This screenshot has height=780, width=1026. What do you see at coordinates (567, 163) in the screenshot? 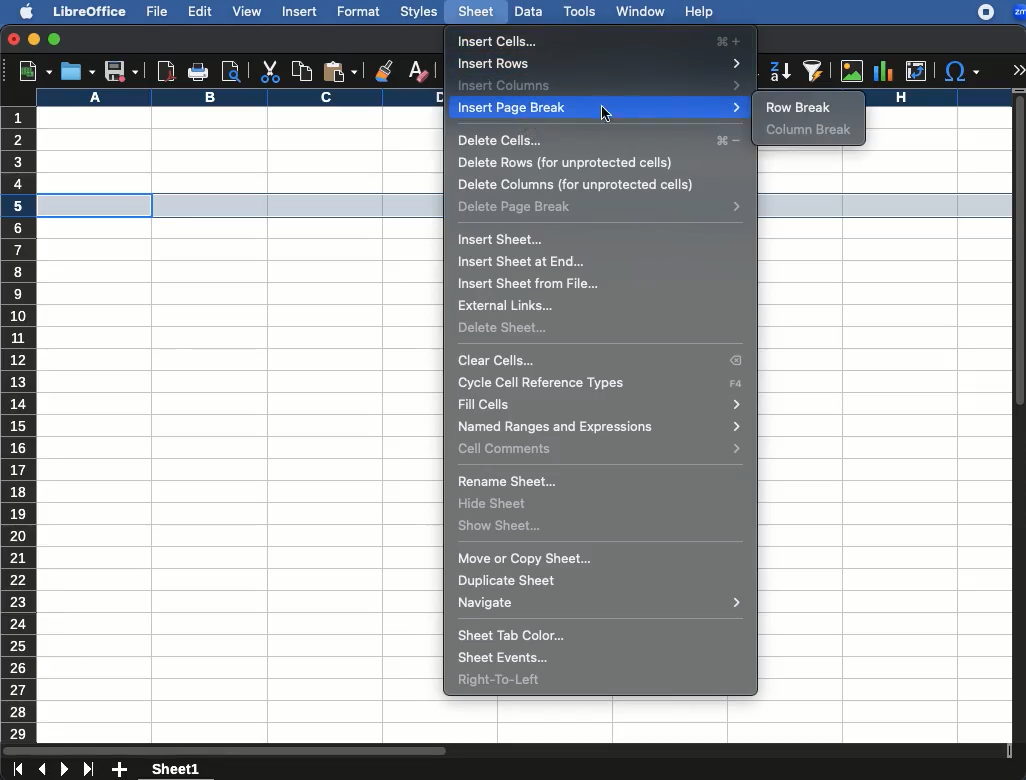
I see `delete rows (for unprotected cells)` at bounding box center [567, 163].